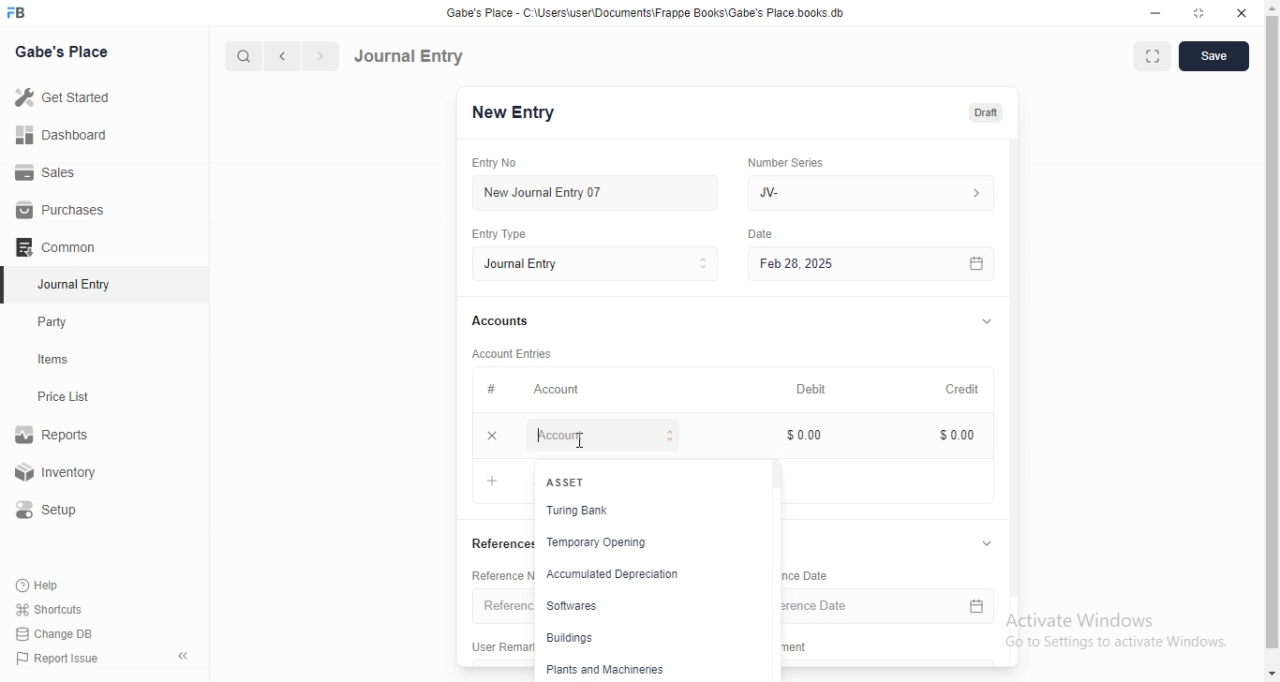  I want to click on Inventory, so click(59, 474).